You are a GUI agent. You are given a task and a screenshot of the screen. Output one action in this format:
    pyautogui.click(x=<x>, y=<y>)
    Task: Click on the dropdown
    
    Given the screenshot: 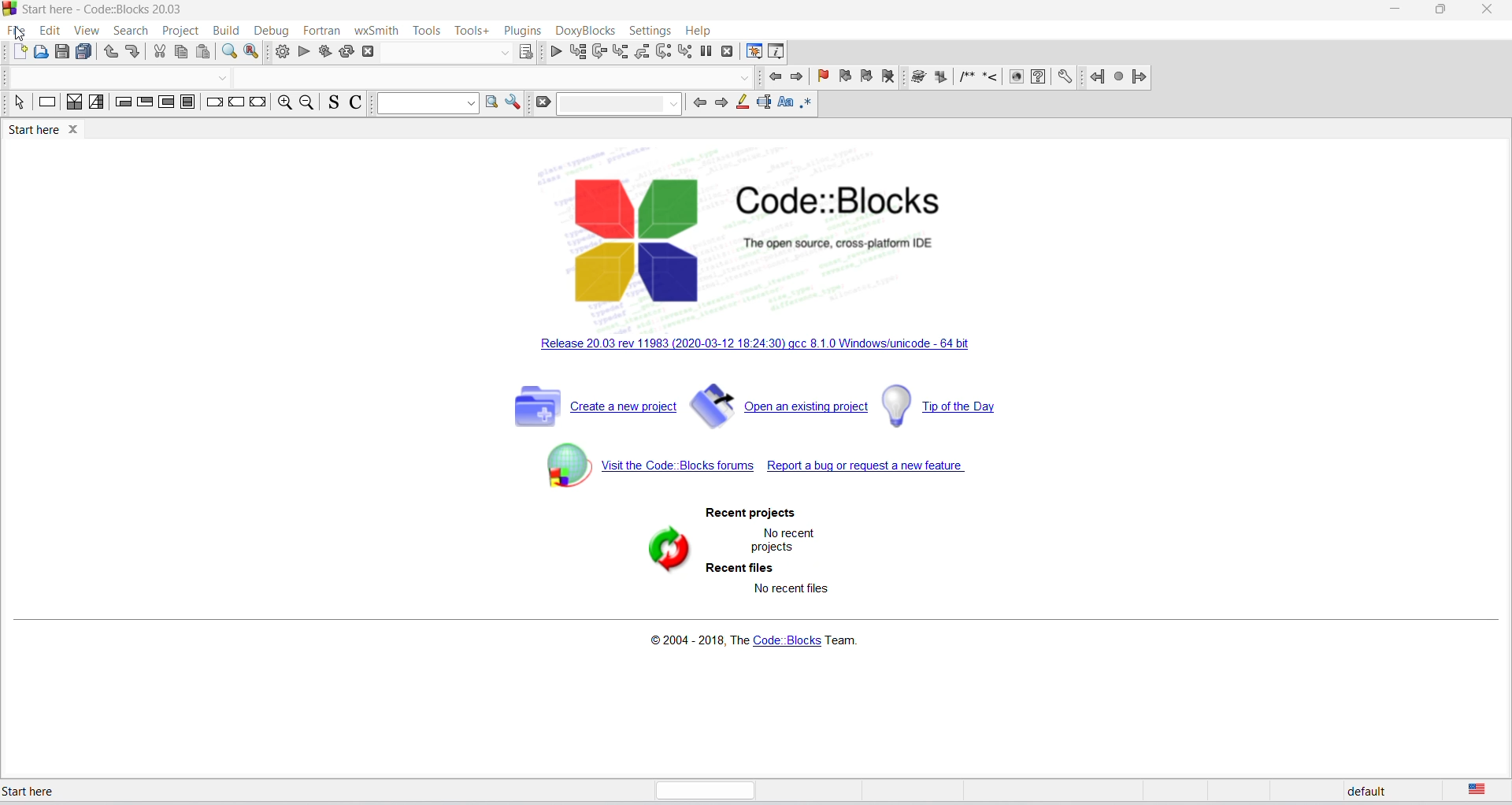 What is the action you would take?
    pyautogui.click(x=502, y=54)
    